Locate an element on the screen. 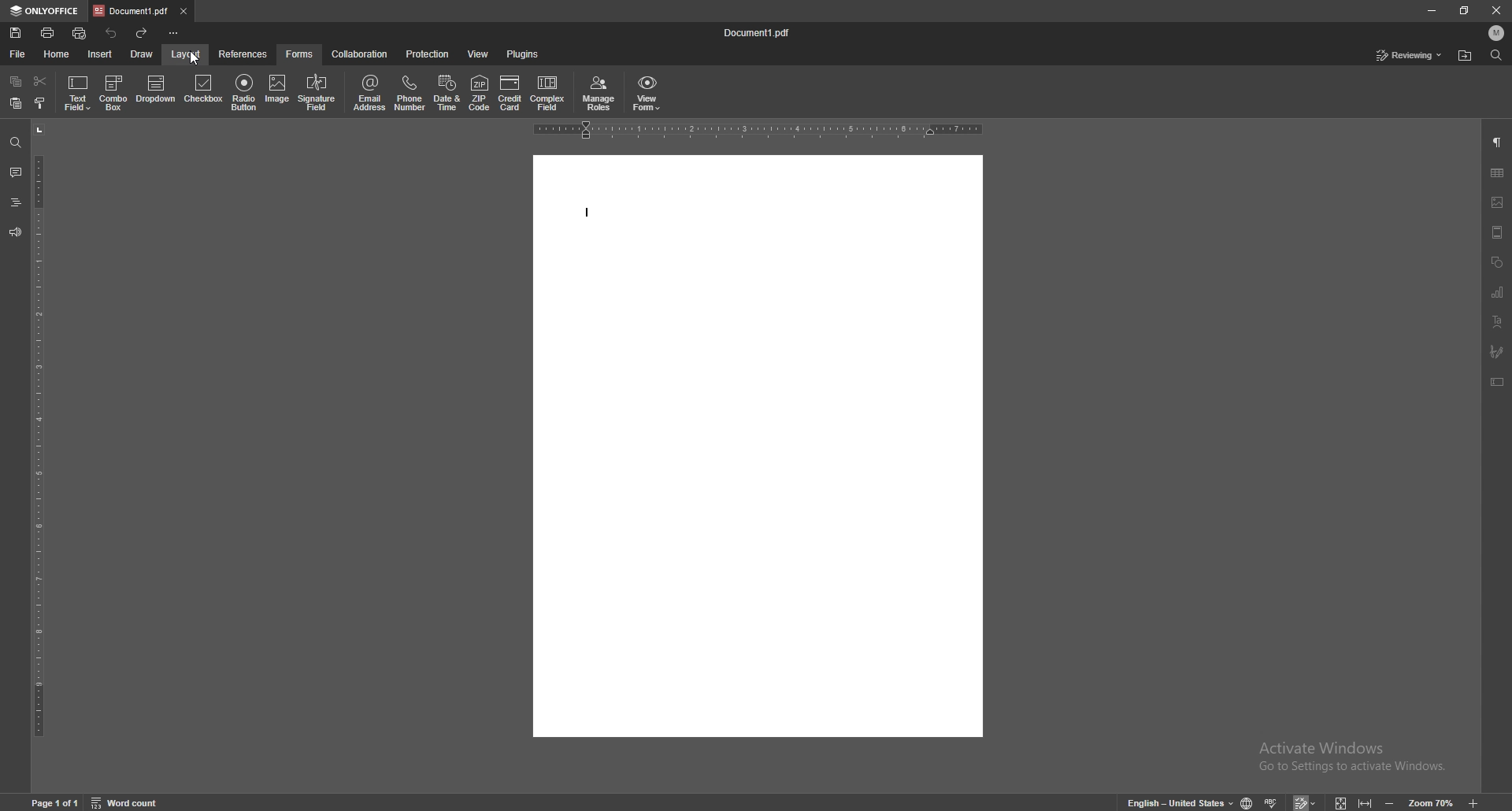  forms is located at coordinates (300, 54).